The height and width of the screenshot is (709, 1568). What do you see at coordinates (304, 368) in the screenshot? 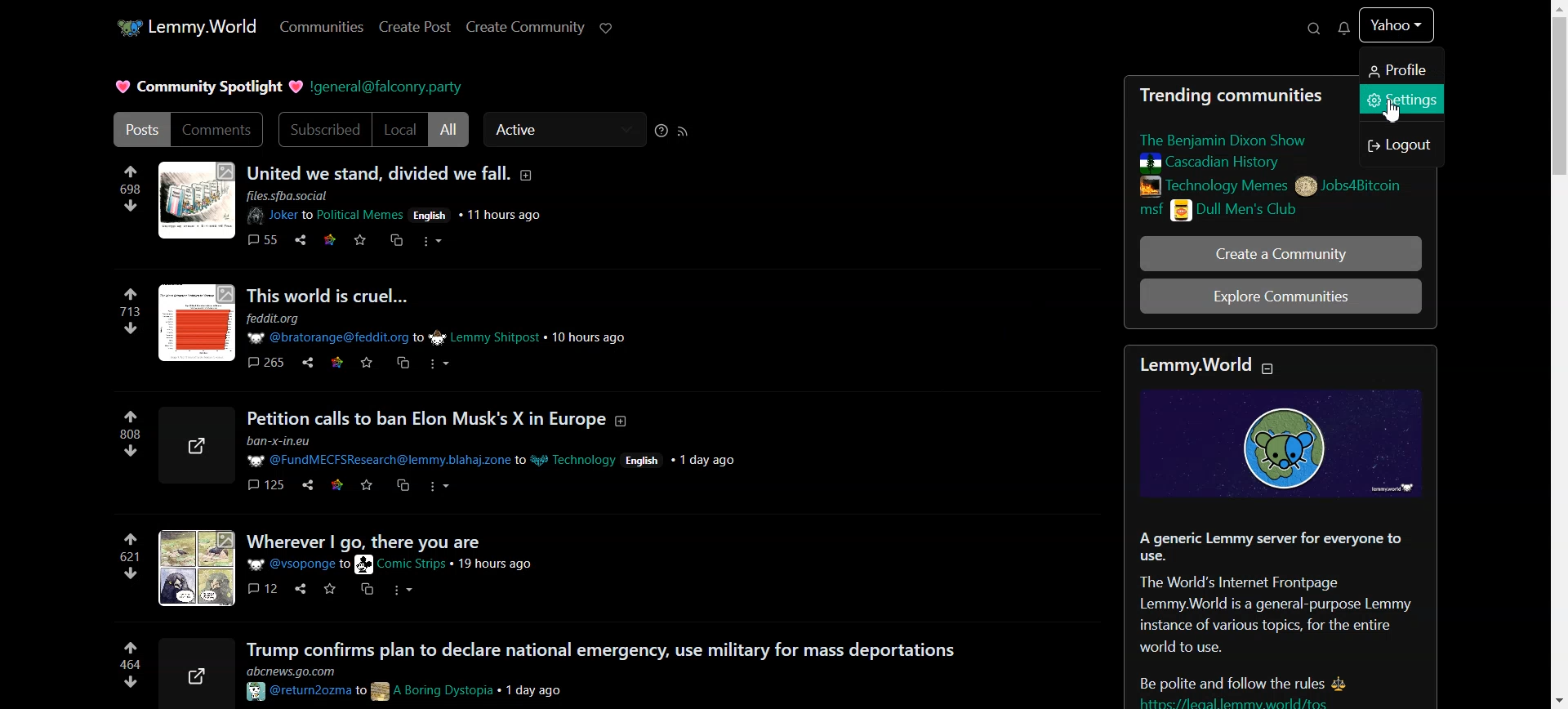
I see `share` at bounding box center [304, 368].